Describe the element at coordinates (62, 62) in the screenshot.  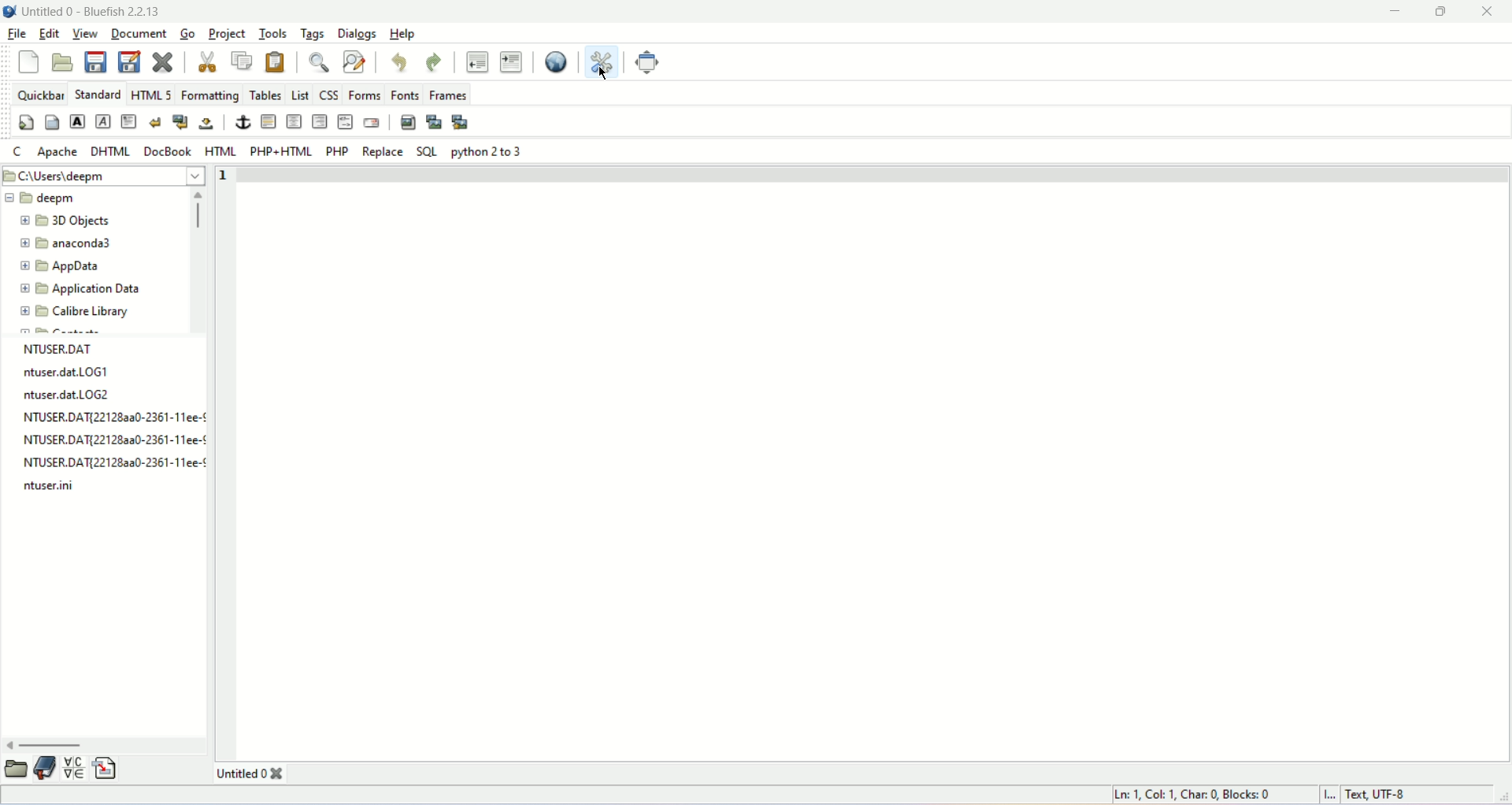
I see `open` at that location.